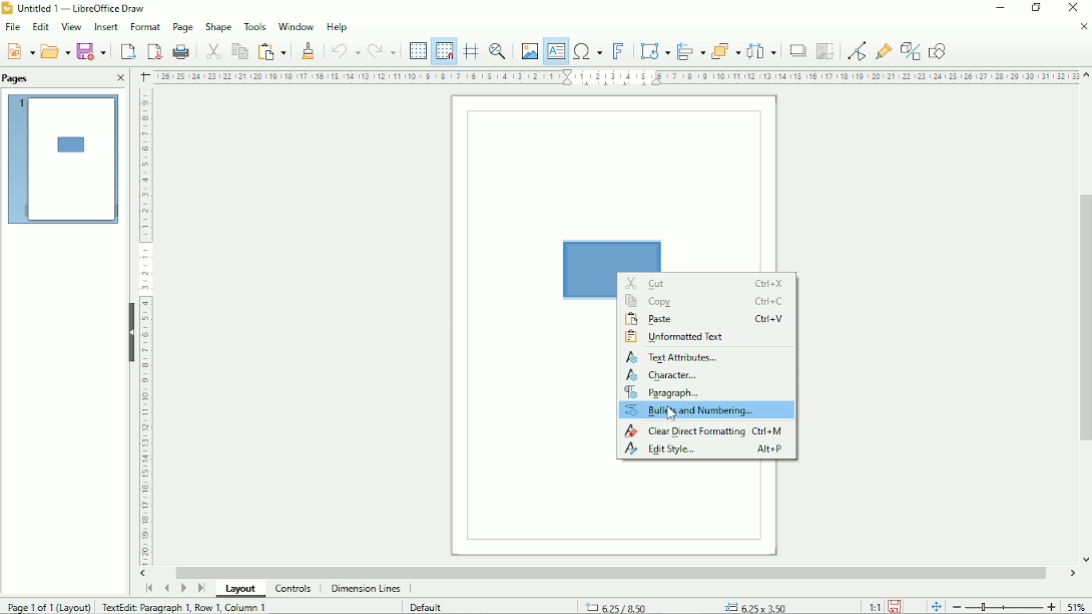 This screenshot has width=1092, height=614. I want to click on Export directly as PDF, so click(154, 51).